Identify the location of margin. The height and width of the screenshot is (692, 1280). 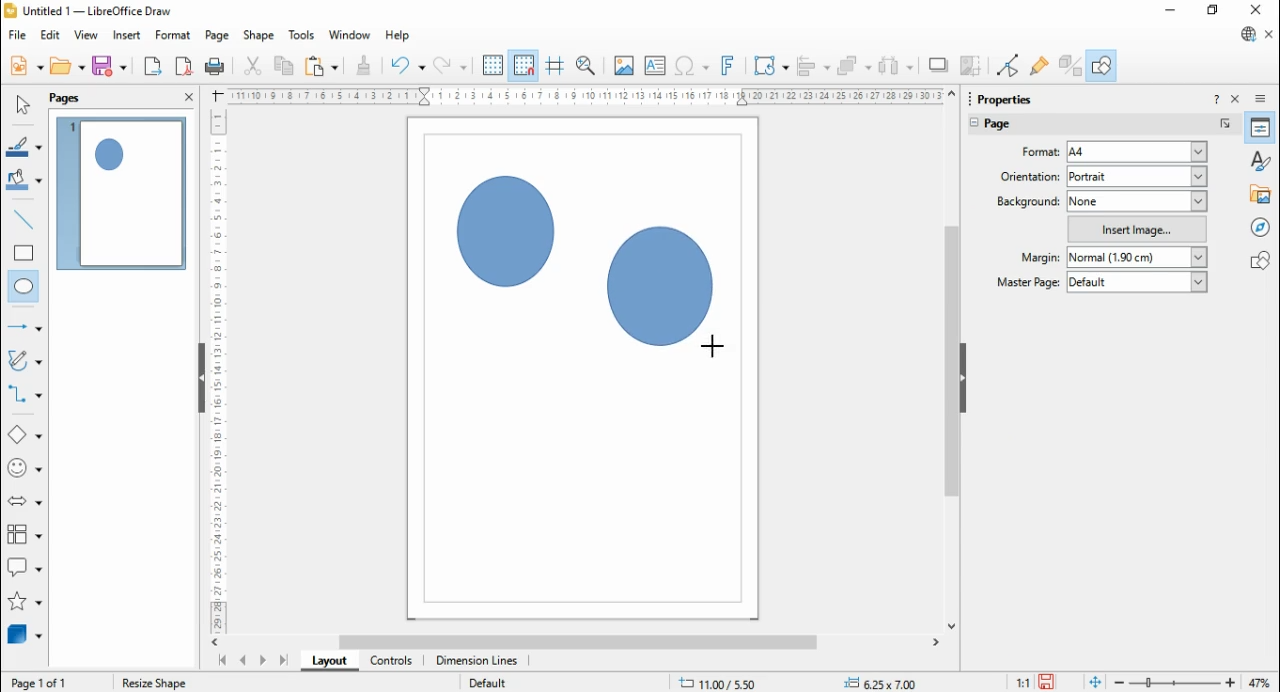
(1038, 257).